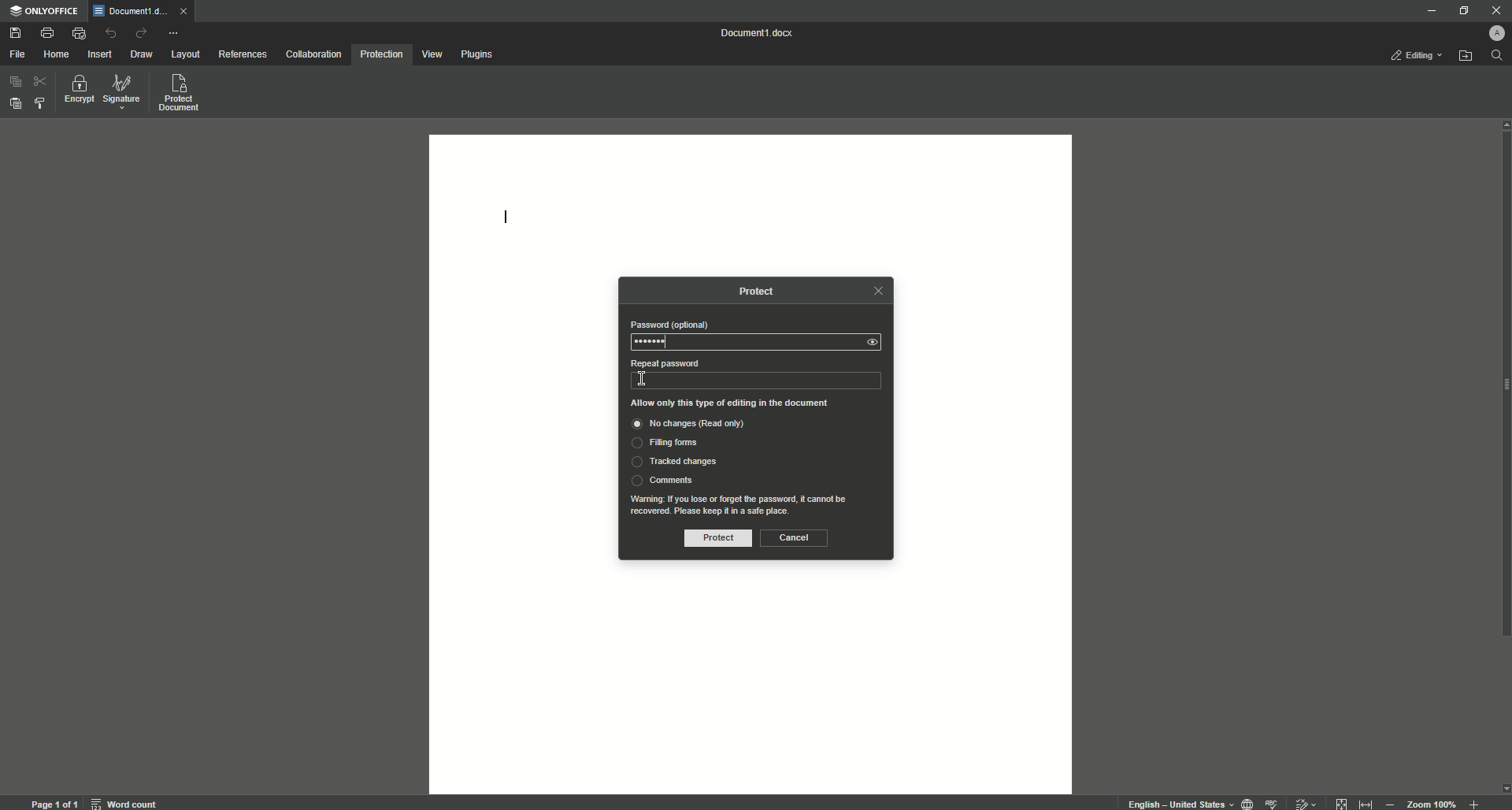 This screenshot has width=1512, height=810. Describe the element at coordinates (1495, 9) in the screenshot. I see `Close` at that location.